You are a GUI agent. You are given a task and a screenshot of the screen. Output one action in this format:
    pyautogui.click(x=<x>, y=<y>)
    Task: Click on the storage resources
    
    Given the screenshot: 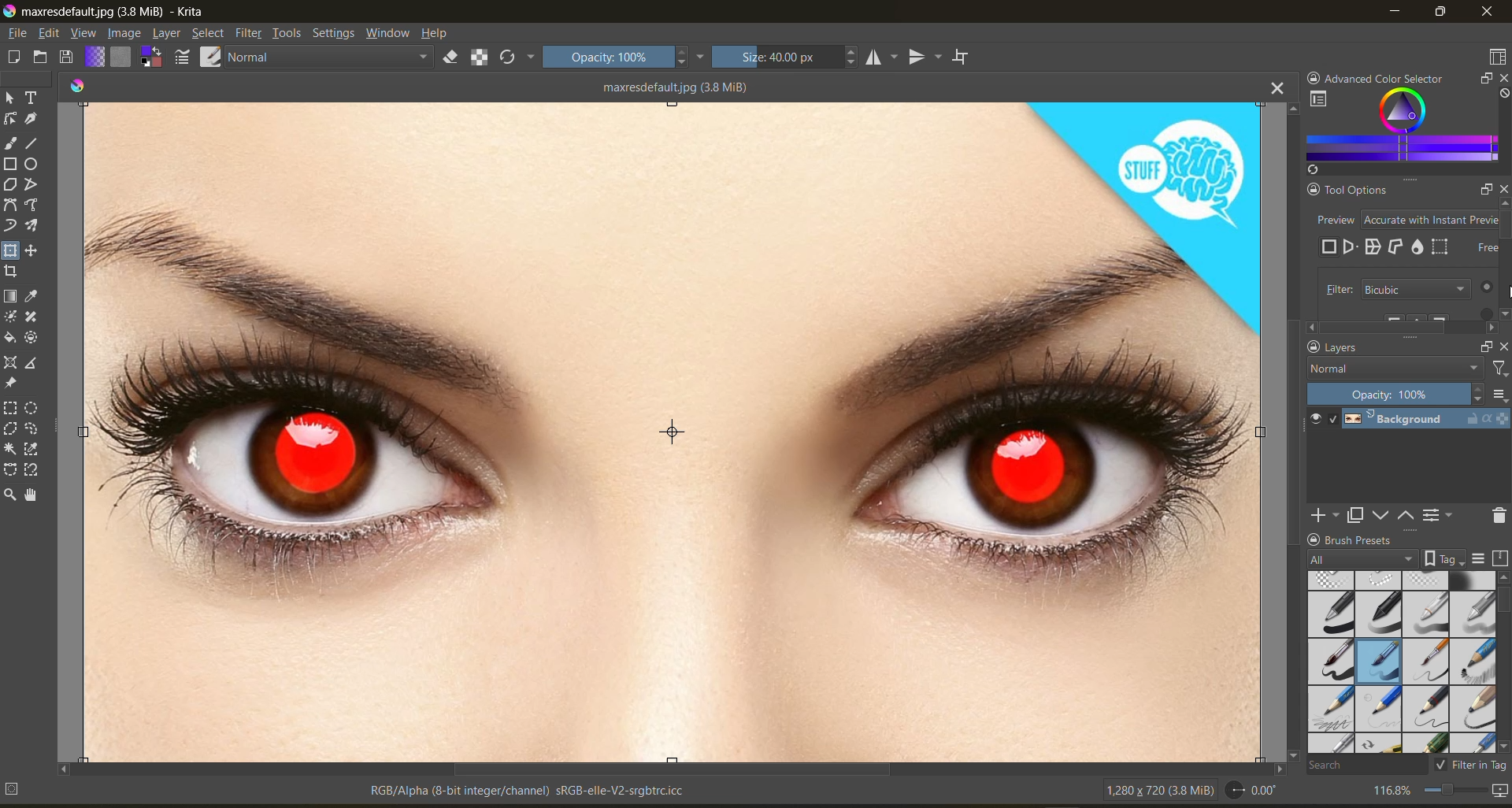 What is the action you would take?
    pyautogui.click(x=1499, y=558)
    